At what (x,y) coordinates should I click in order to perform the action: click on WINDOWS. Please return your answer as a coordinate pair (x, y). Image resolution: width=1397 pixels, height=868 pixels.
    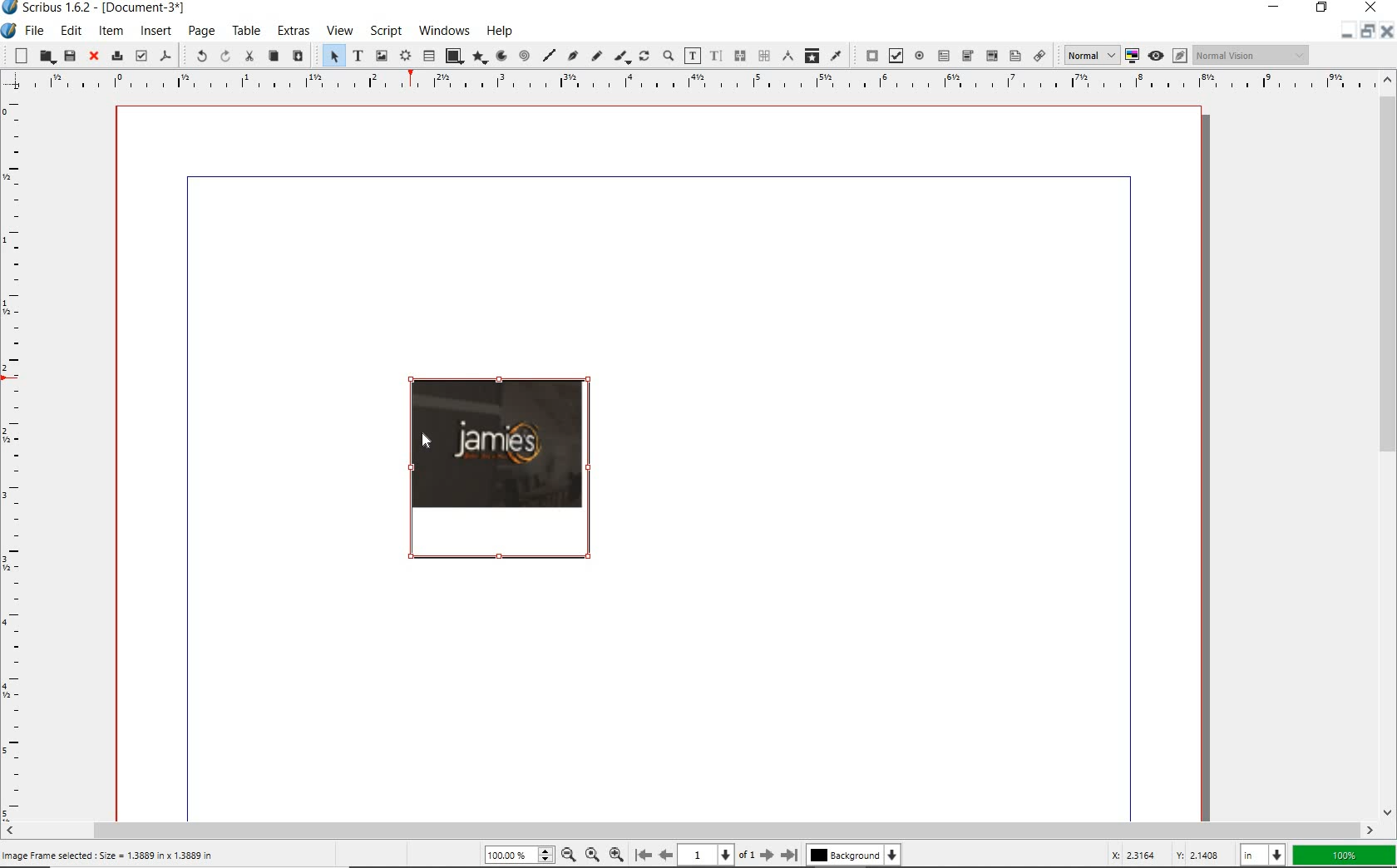
    Looking at the image, I should click on (444, 31).